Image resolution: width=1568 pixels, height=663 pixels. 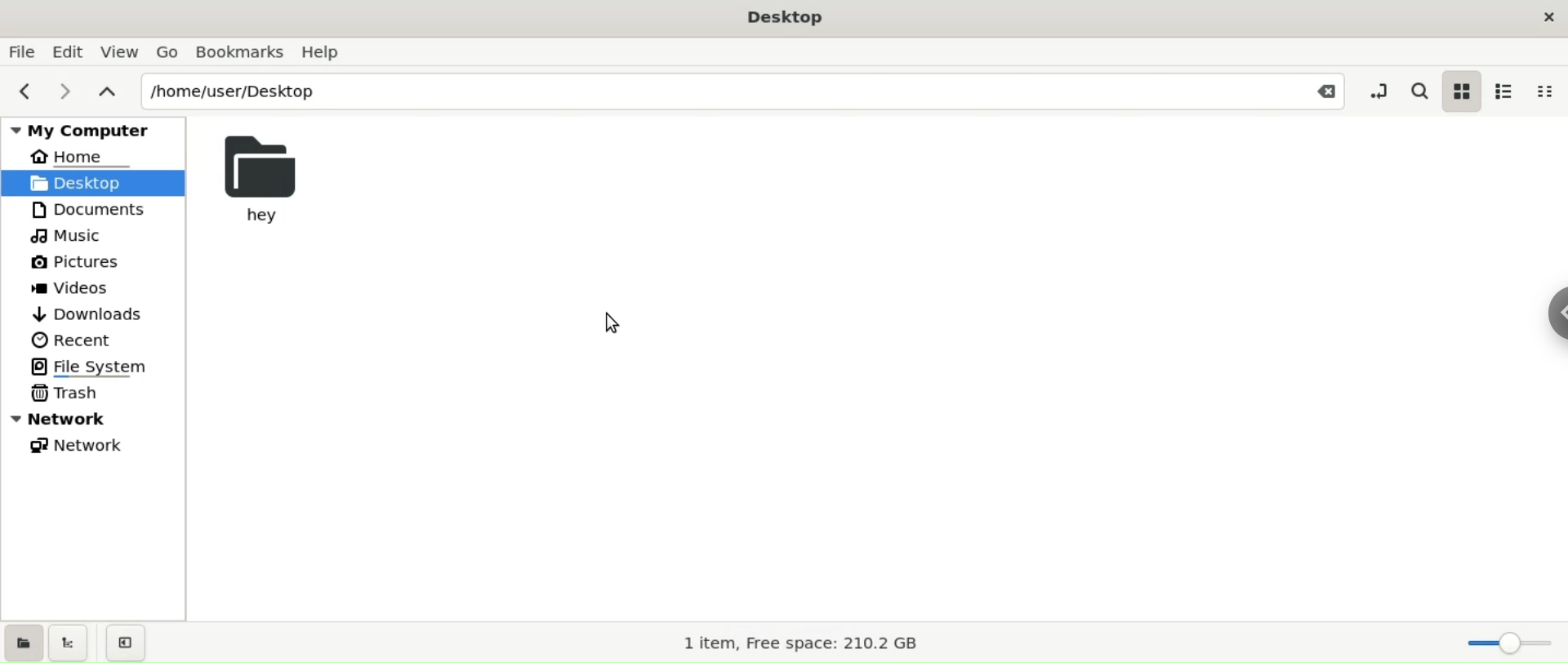 What do you see at coordinates (243, 51) in the screenshot?
I see `bookamarks` at bounding box center [243, 51].